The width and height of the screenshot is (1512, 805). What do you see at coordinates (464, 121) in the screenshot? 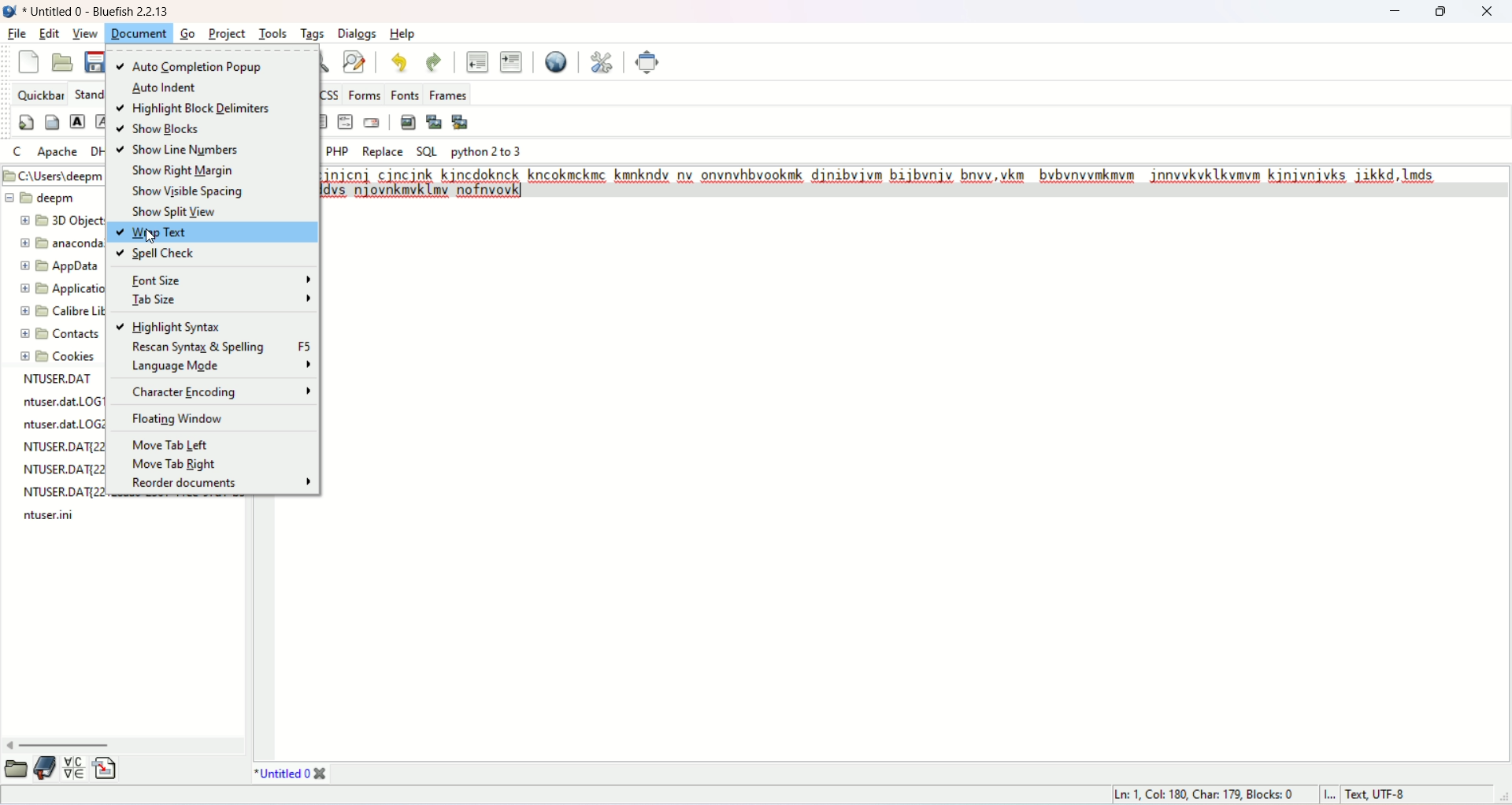
I see `multi thumbnail` at bounding box center [464, 121].